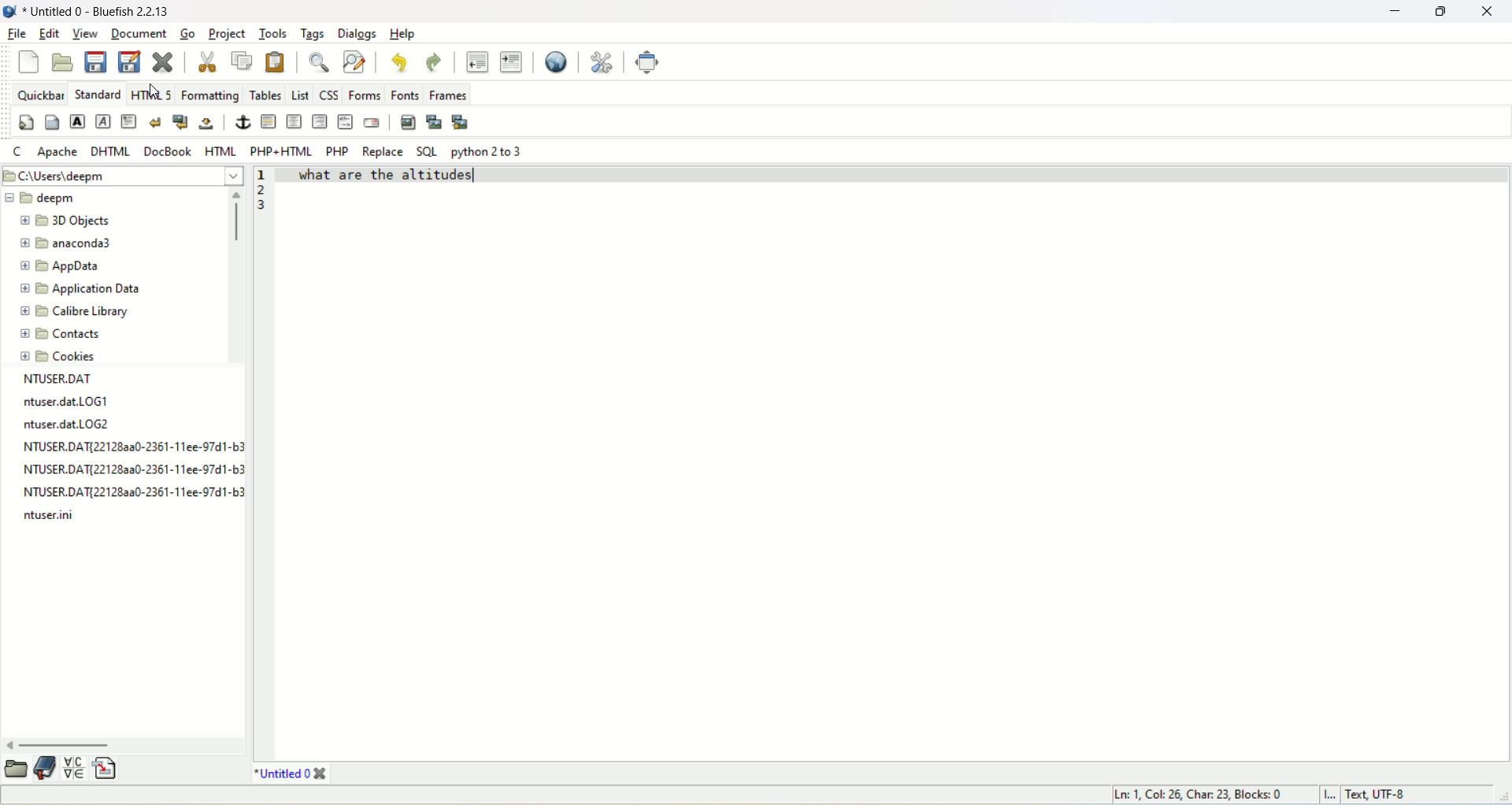 The height and width of the screenshot is (805, 1512). What do you see at coordinates (243, 60) in the screenshot?
I see `copy` at bounding box center [243, 60].